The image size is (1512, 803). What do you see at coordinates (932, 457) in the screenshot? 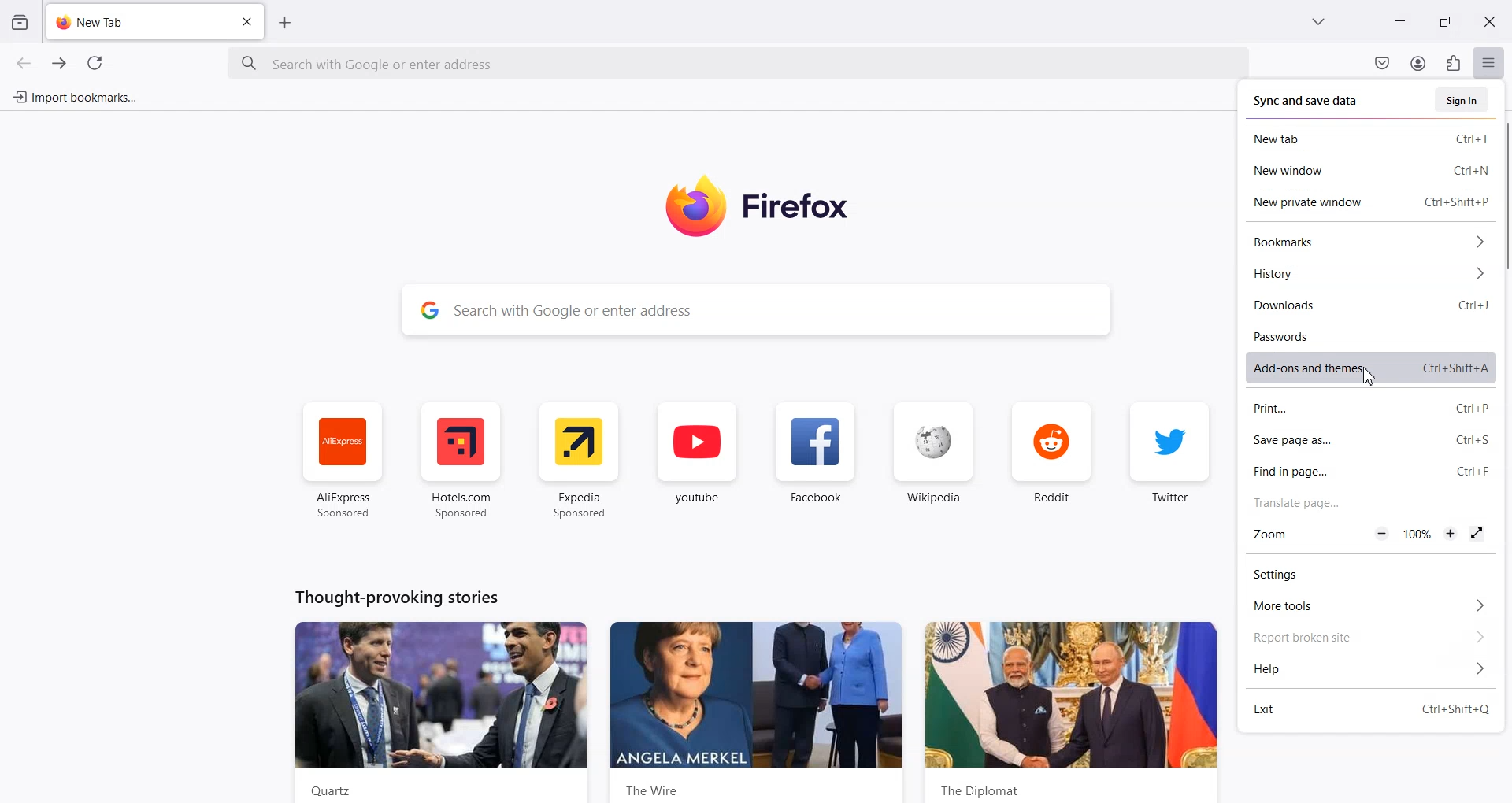
I see `Wikipedia` at bounding box center [932, 457].